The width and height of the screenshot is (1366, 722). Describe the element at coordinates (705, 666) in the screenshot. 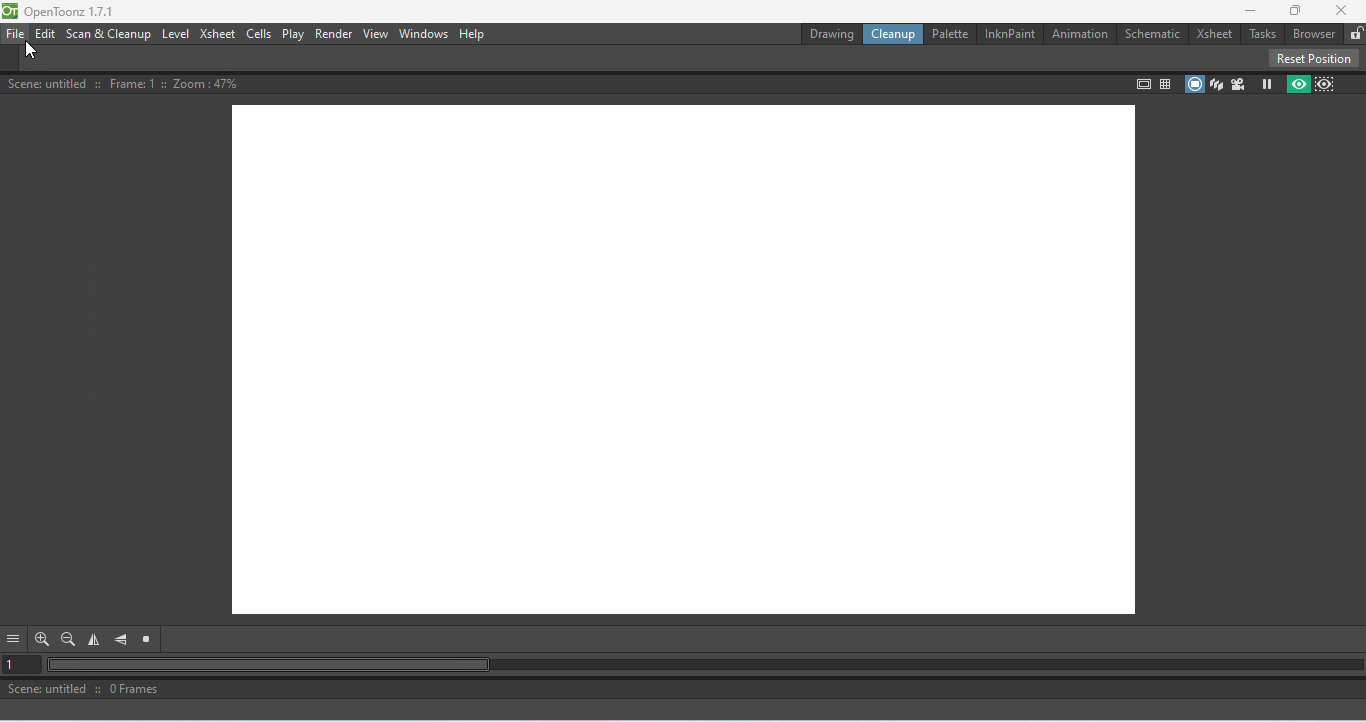

I see `Horizontal scroll bar` at that location.